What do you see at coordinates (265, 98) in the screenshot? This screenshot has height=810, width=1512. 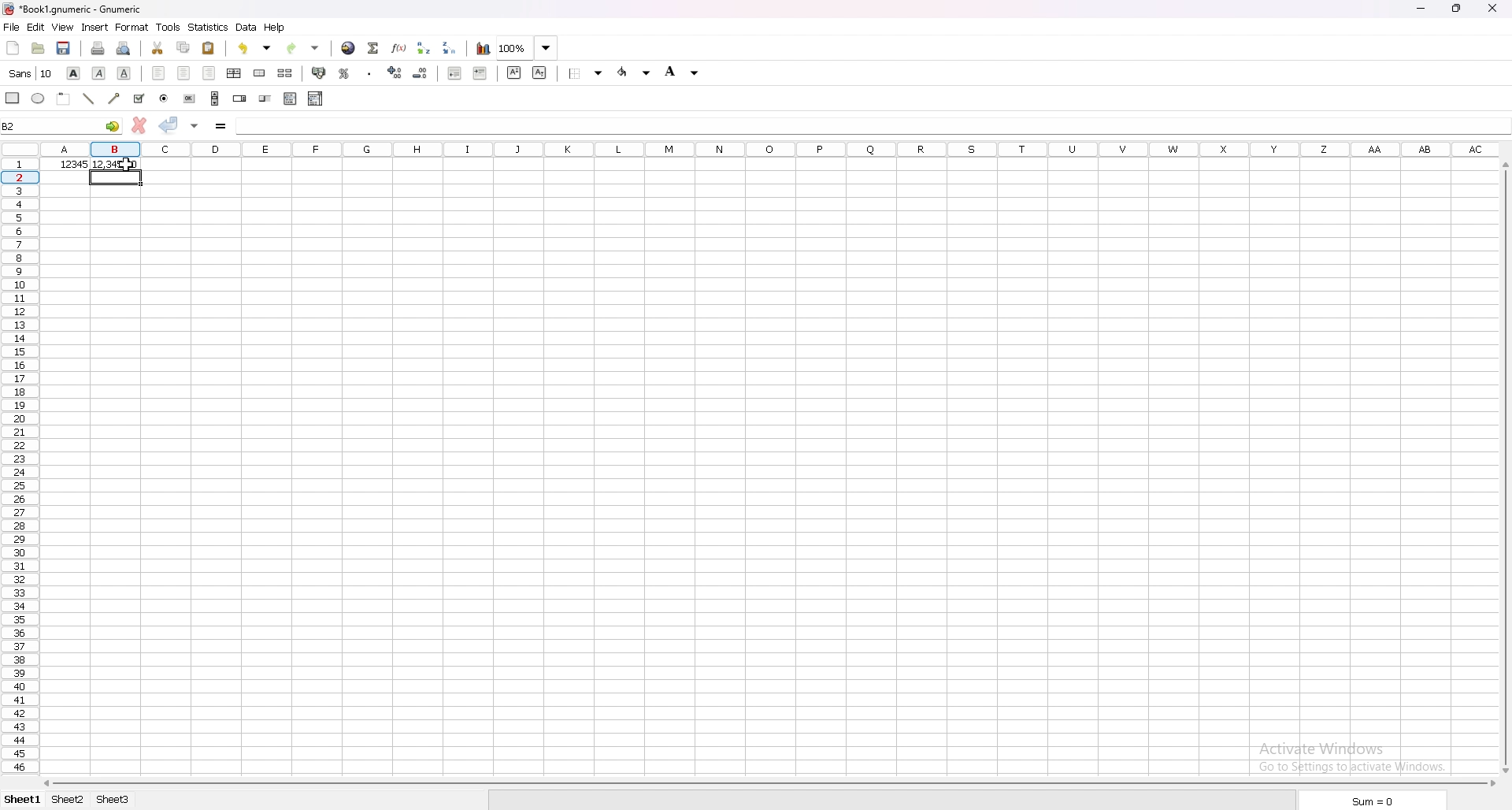 I see `slider` at bounding box center [265, 98].